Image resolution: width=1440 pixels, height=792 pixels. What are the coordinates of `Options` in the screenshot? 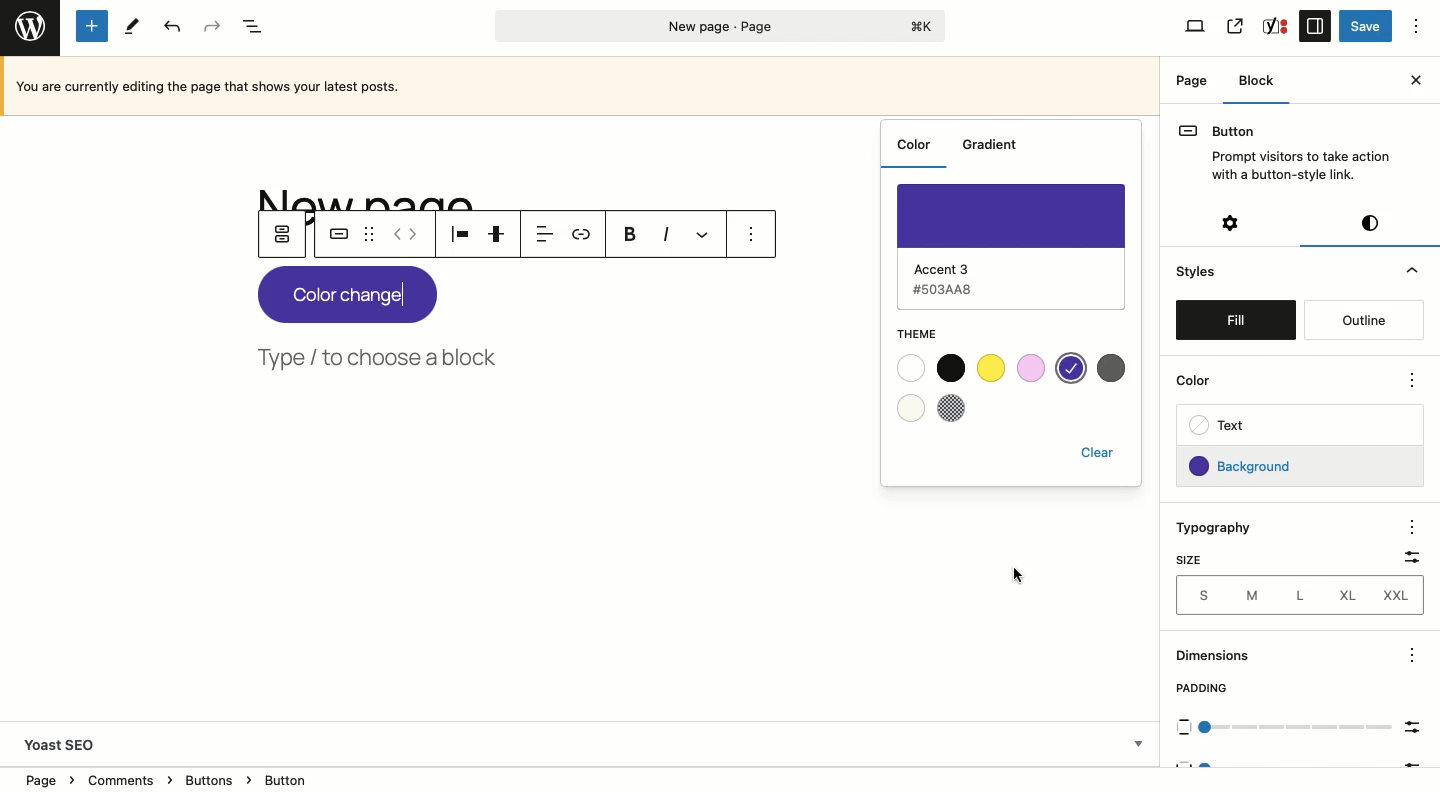 It's located at (1417, 25).